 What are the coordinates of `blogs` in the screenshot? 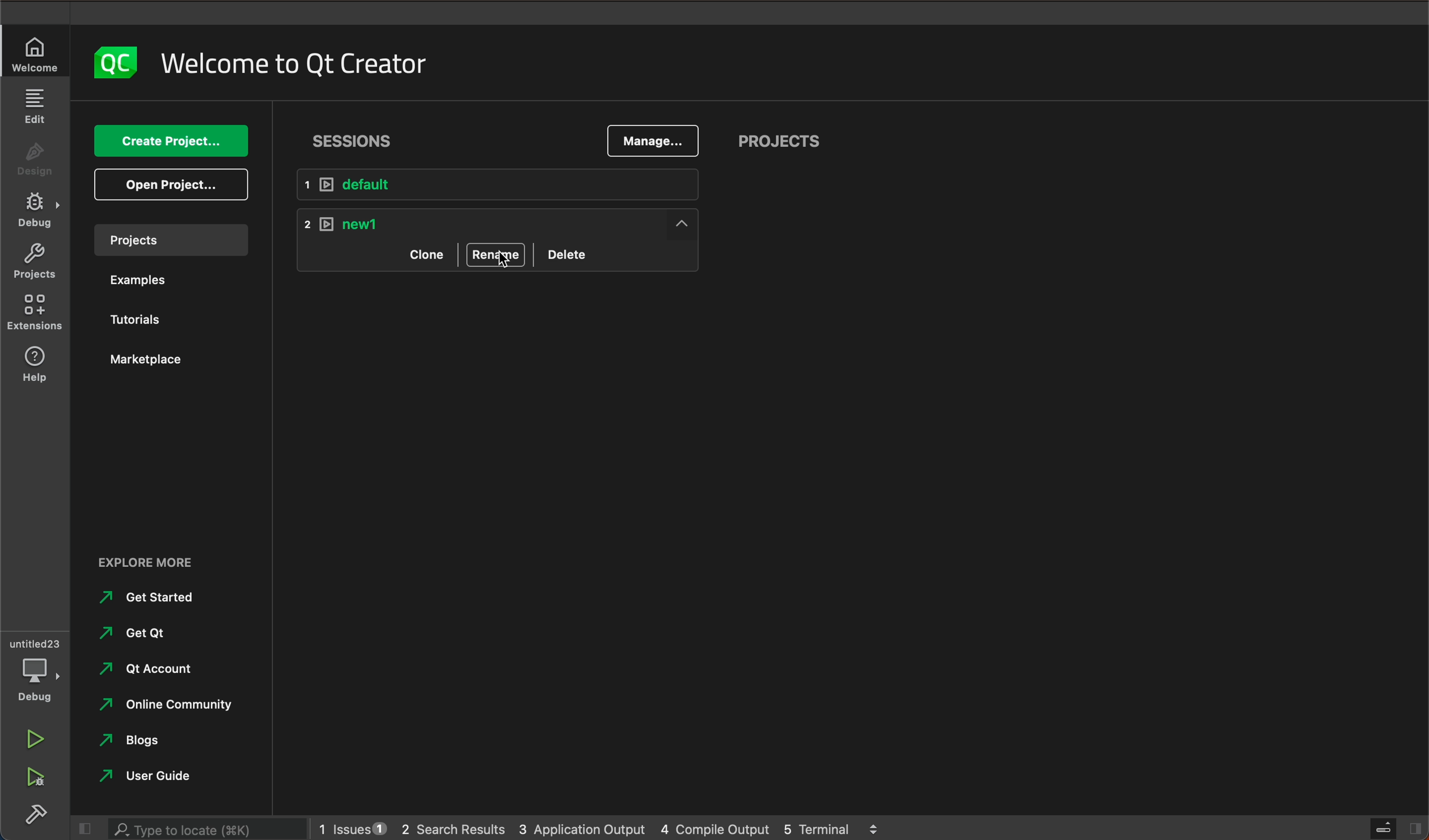 It's located at (138, 740).